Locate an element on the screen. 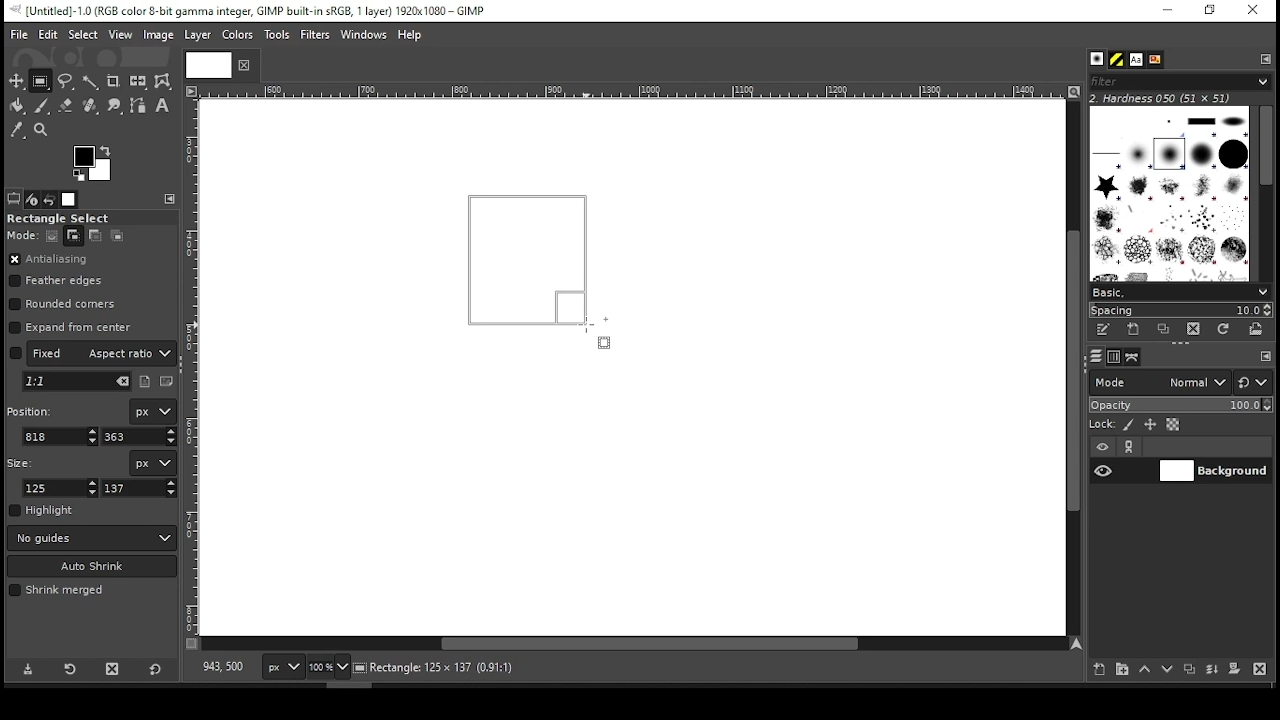  smudge tool is located at coordinates (116, 106).